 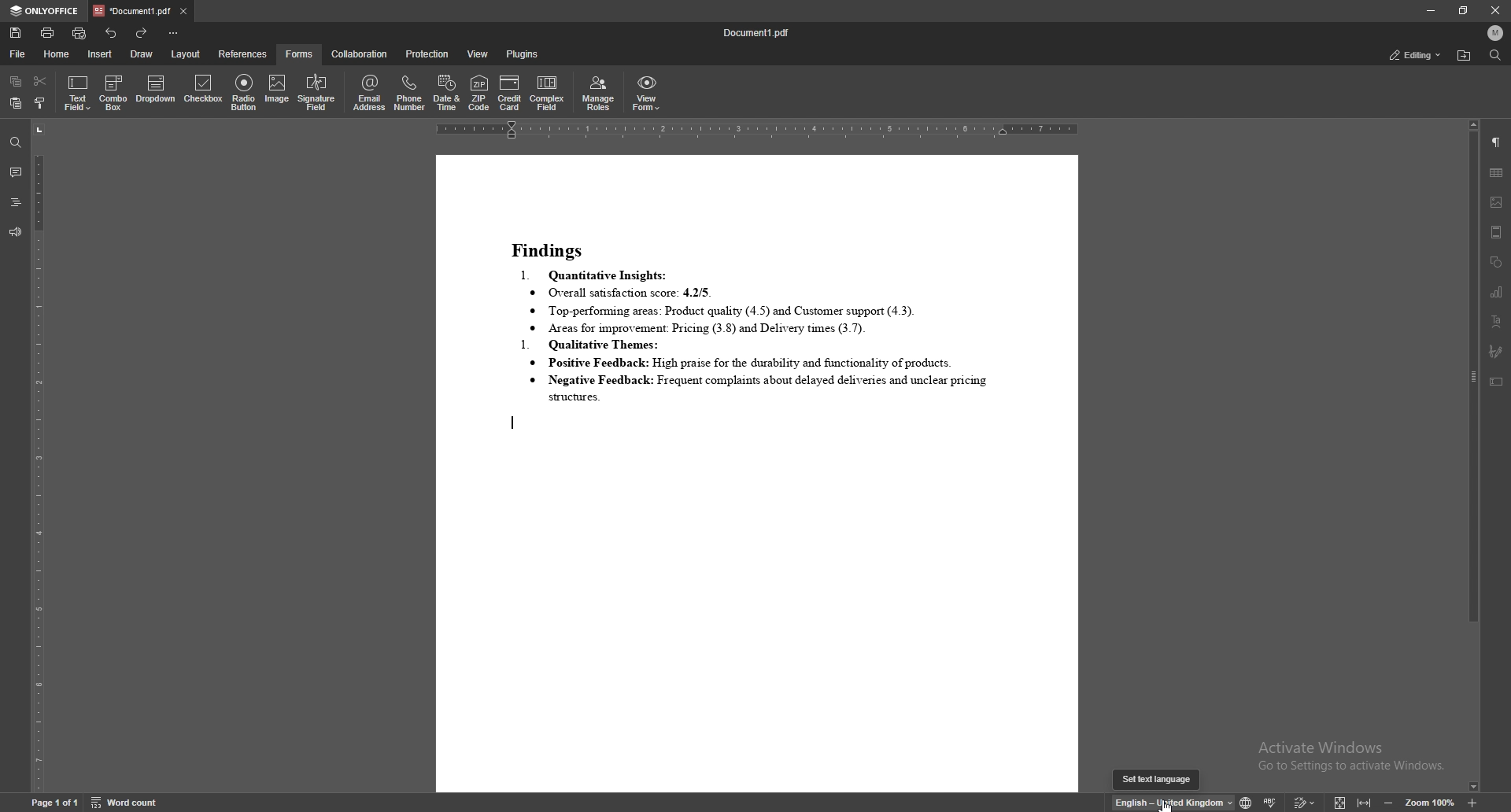 I want to click on phone number, so click(x=412, y=92).